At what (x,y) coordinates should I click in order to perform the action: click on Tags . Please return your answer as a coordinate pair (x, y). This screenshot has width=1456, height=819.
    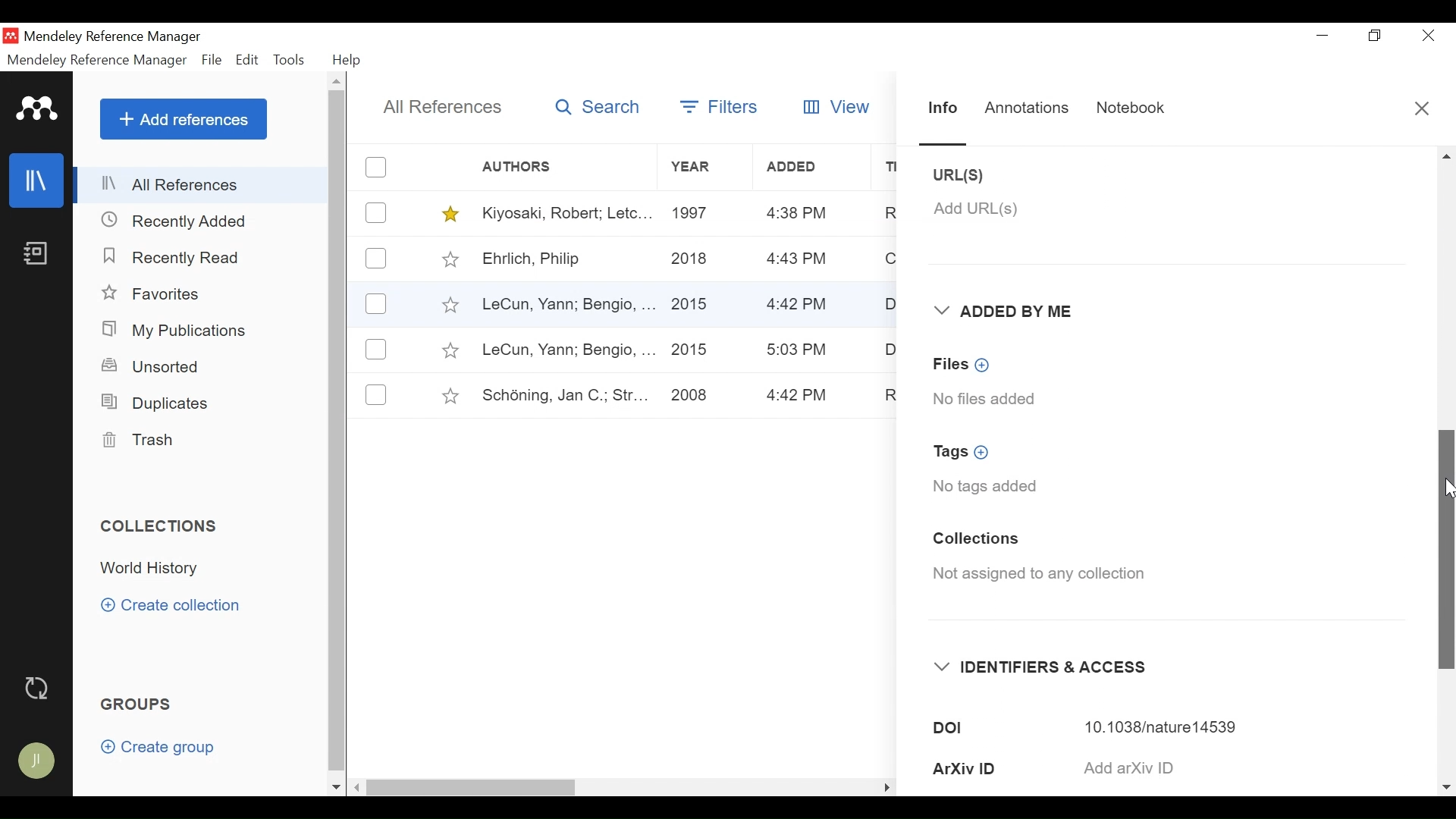
    Looking at the image, I should click on (968, 453).